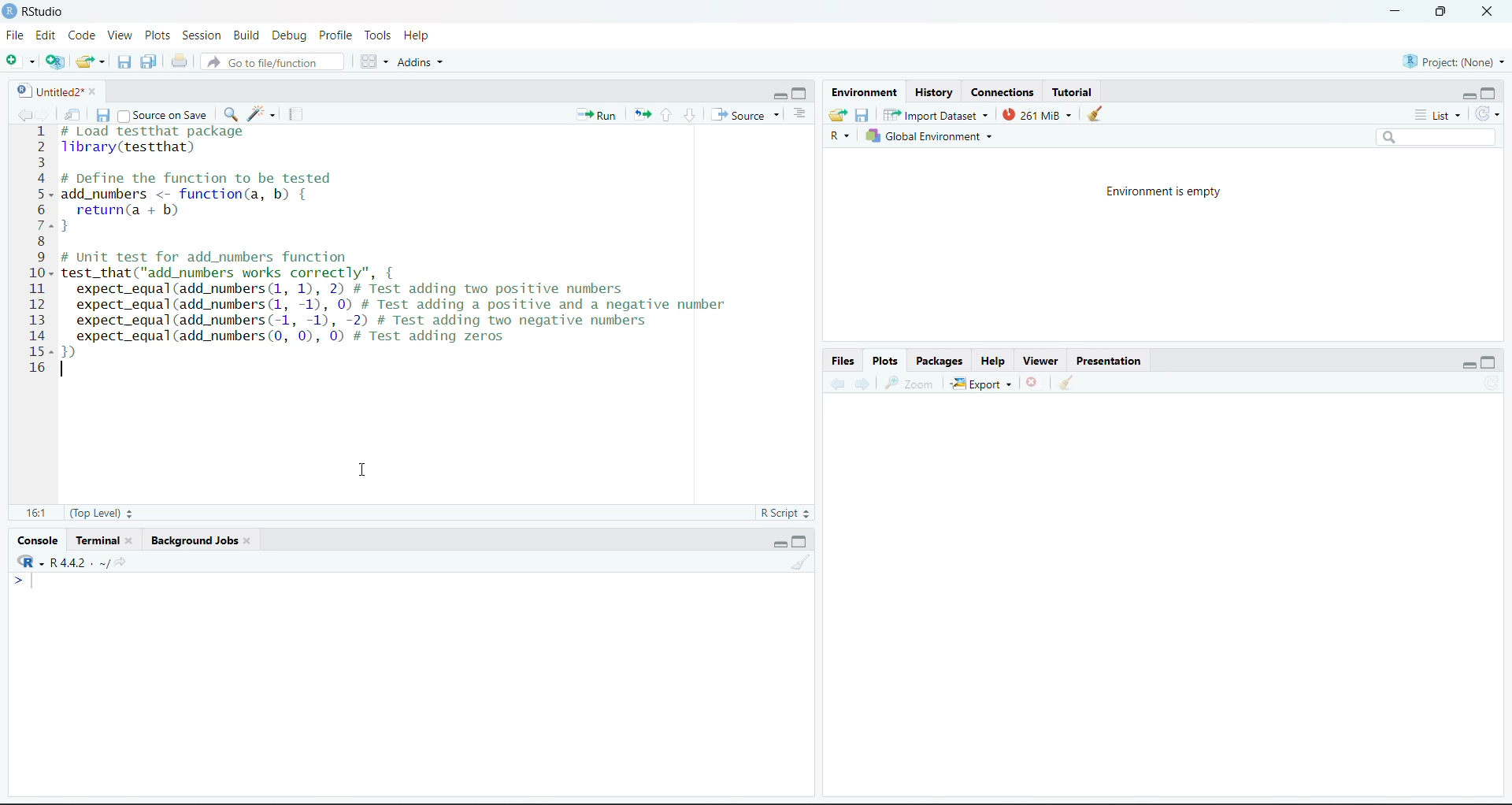 This screenshot has width=1512, height=805. Describe the element at coordinates (230, 113) in the screenshot. I see `find` at that location.